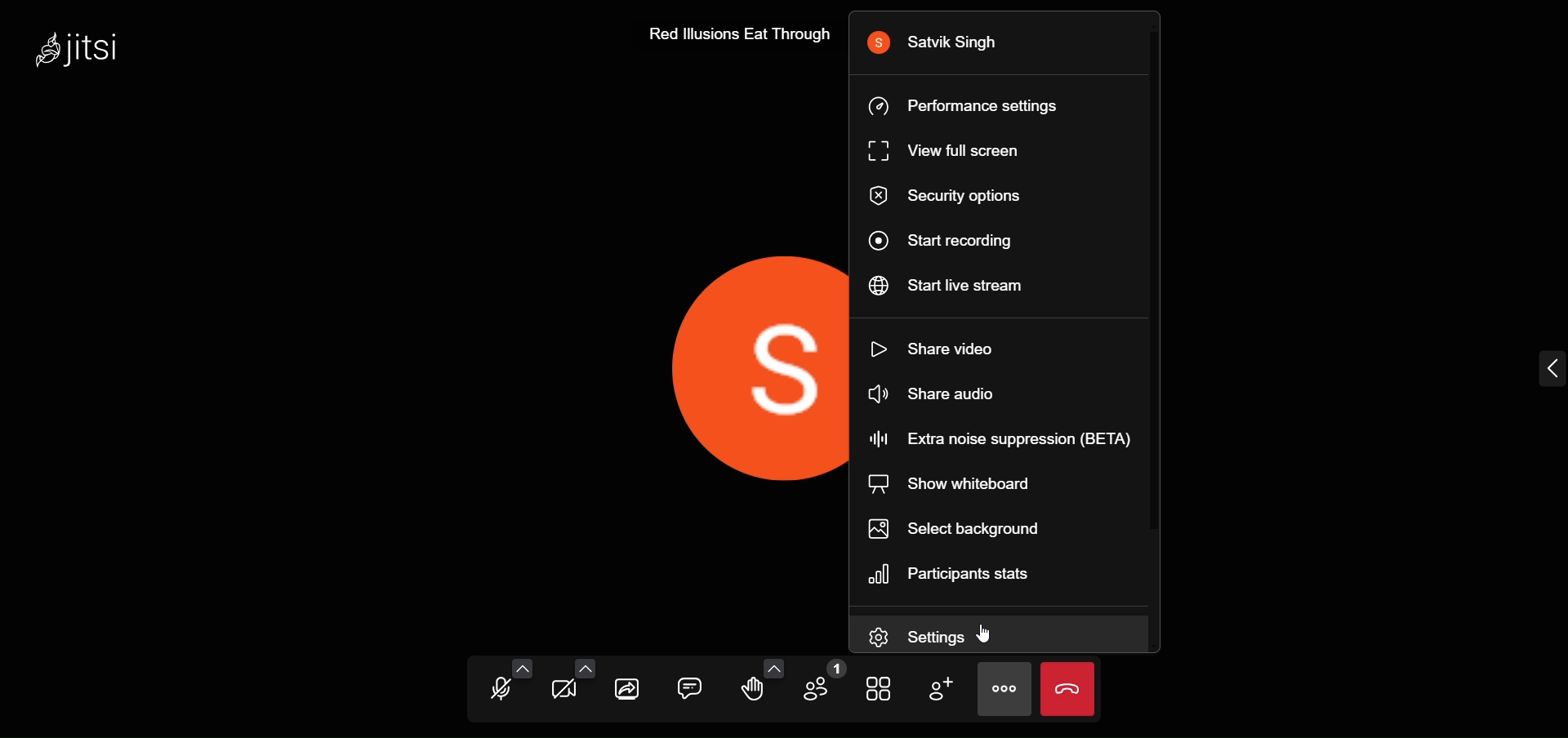 This screenshot has height=738, width=1568. What do you see at coordinates (630, 690) in the screenshot?
I see `screen share` at bounding box center [630, 690].